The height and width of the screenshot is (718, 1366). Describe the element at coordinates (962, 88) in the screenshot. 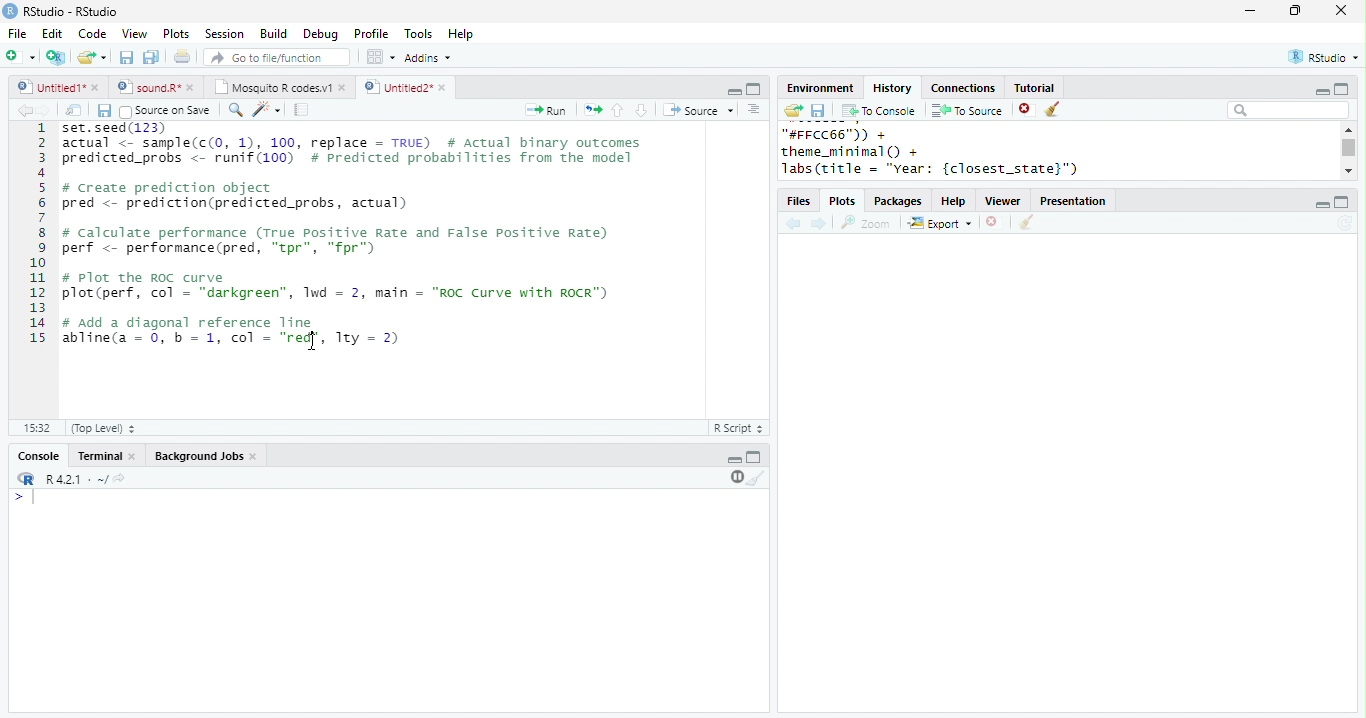

I see `Connections` at that location.